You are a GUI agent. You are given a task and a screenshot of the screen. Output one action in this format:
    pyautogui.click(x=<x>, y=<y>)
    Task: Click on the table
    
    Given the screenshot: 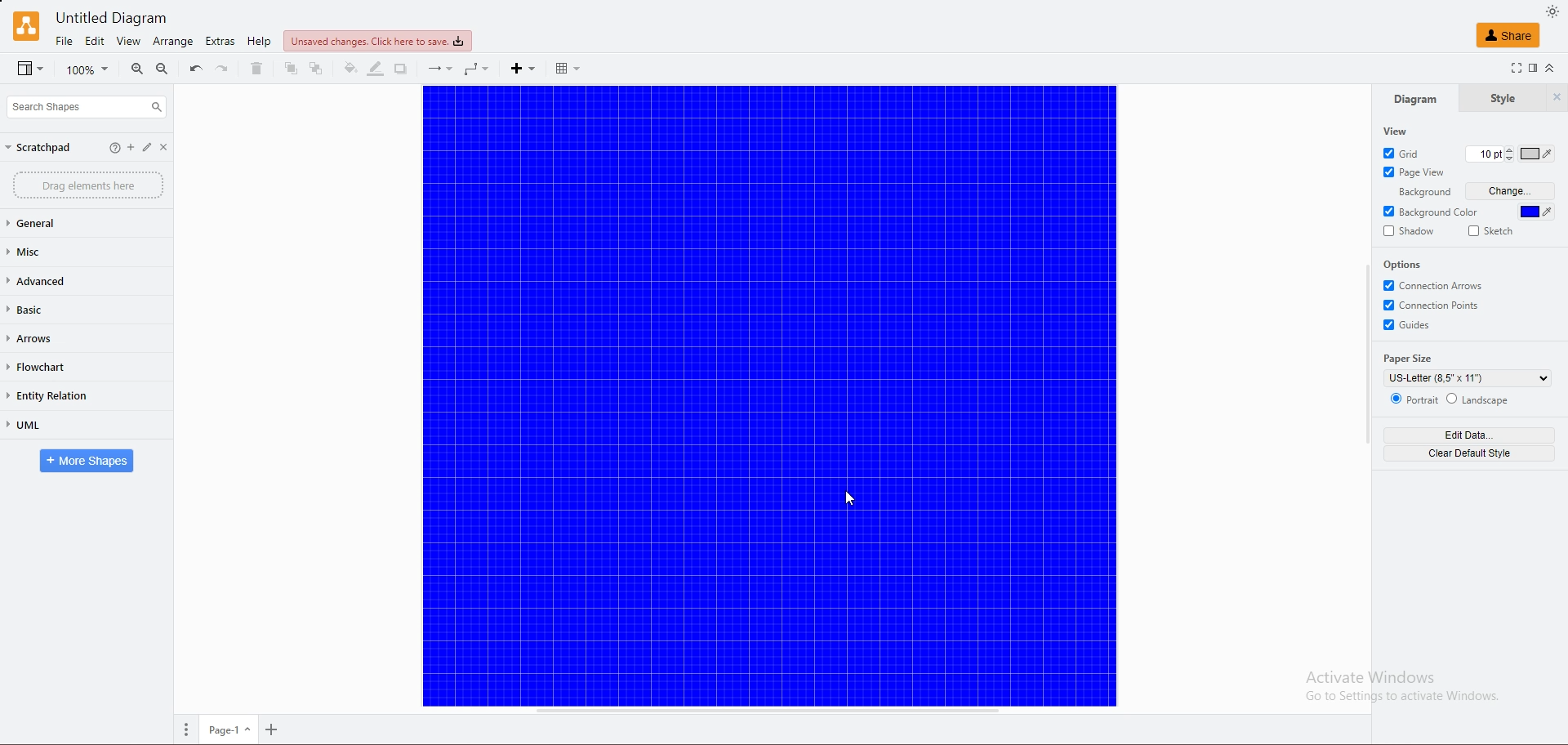 What is the action you would take?
    pyautogui.click(x=573, y=68)
    